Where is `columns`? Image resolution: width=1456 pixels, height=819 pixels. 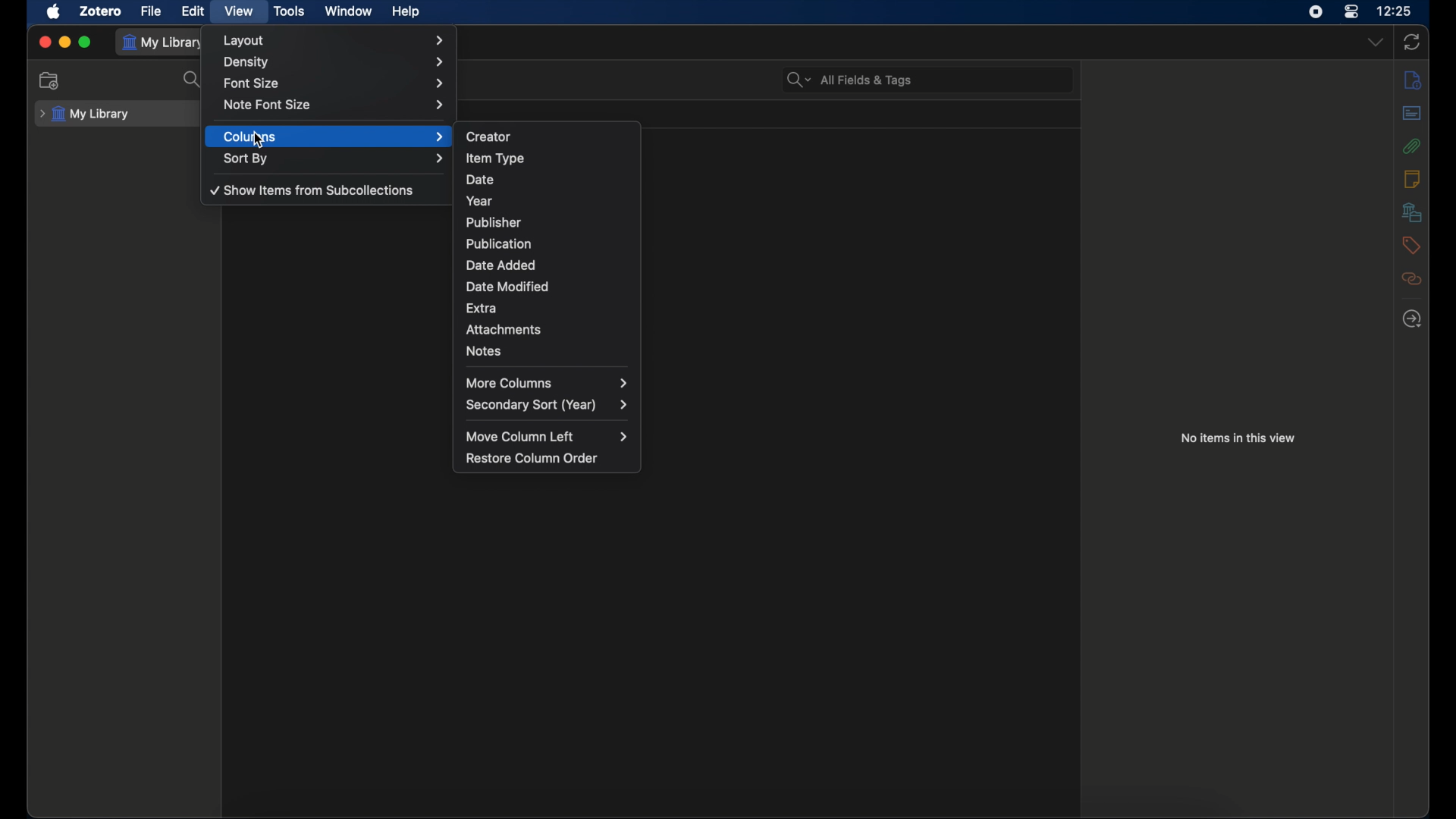
columns is located at coordinates (334, 136).